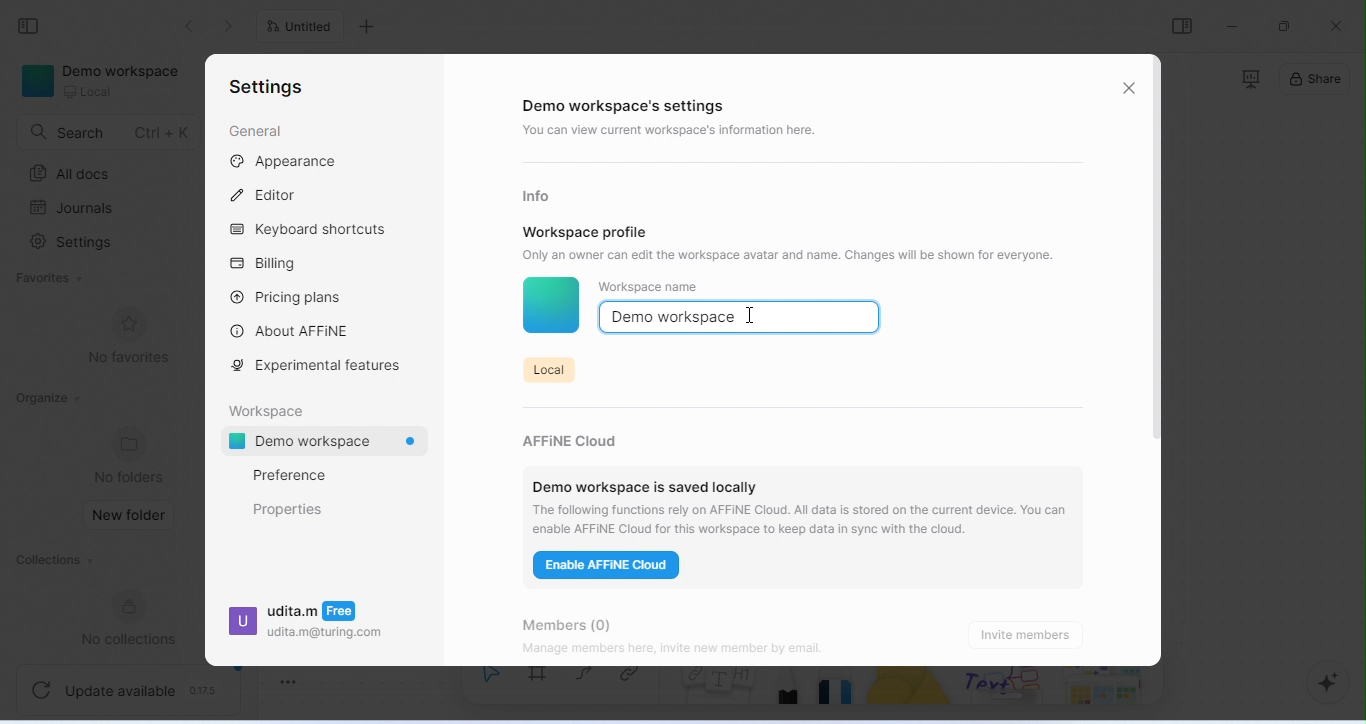 The width and height of the screenshot is (1366, 724). Describe the element at coordinates (289, 678) in the screenshot. I see `toggle zoom` at that location.